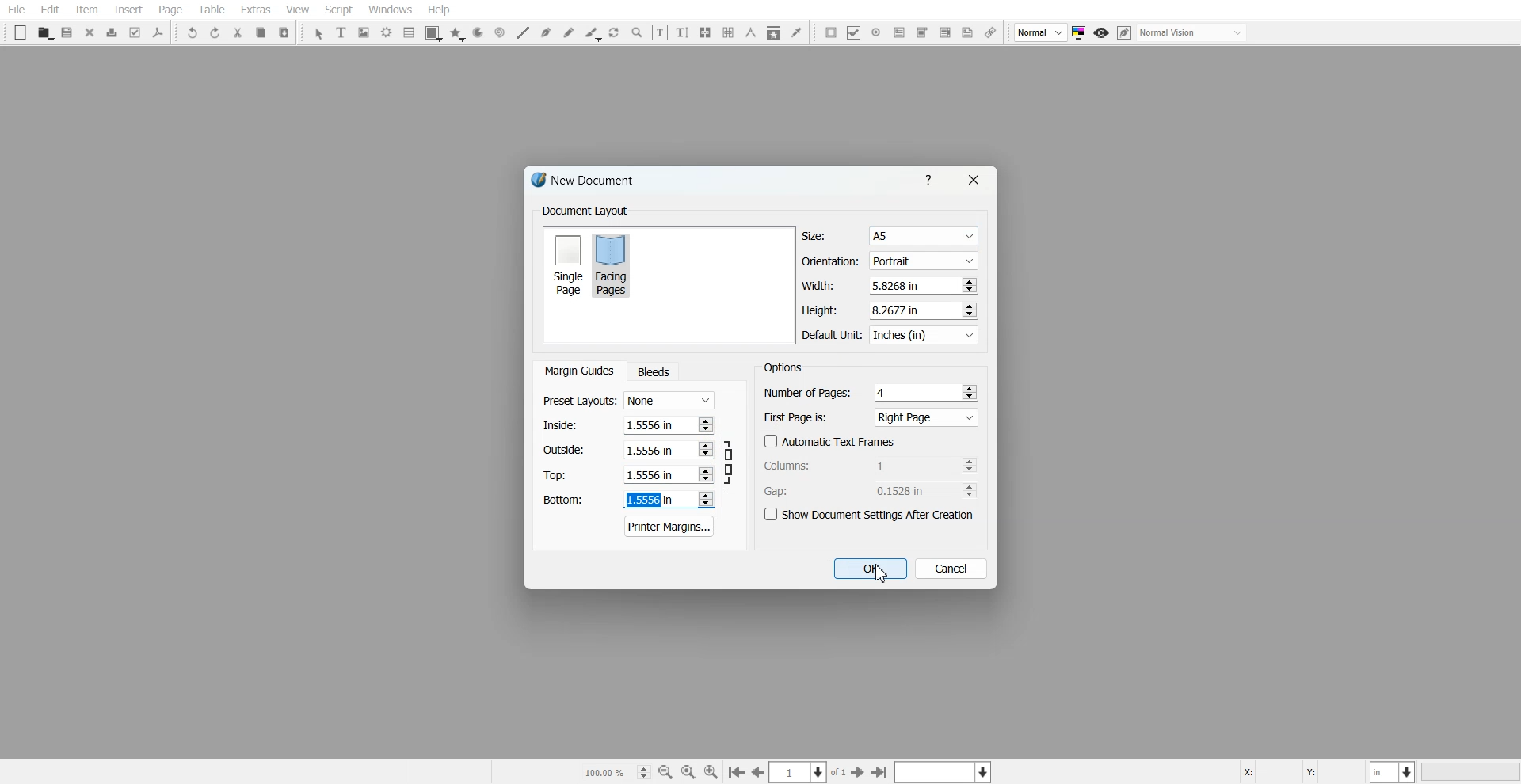  Describe the element at coordinates (660, 32) in the screenshot. I see `Edit contents of frame` at that location.